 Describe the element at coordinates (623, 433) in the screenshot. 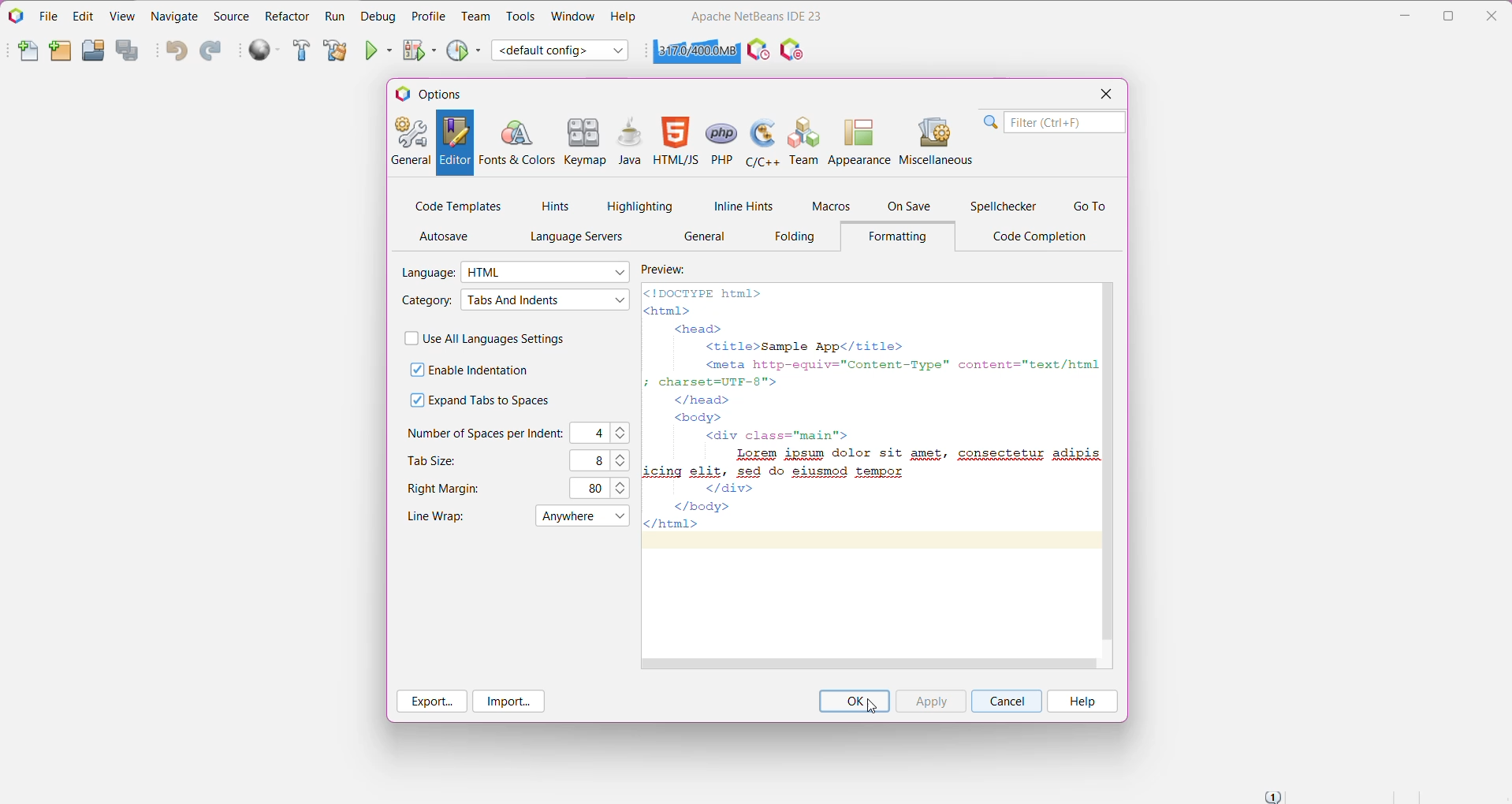

I see `Set the number of spaces per indent` at that location.